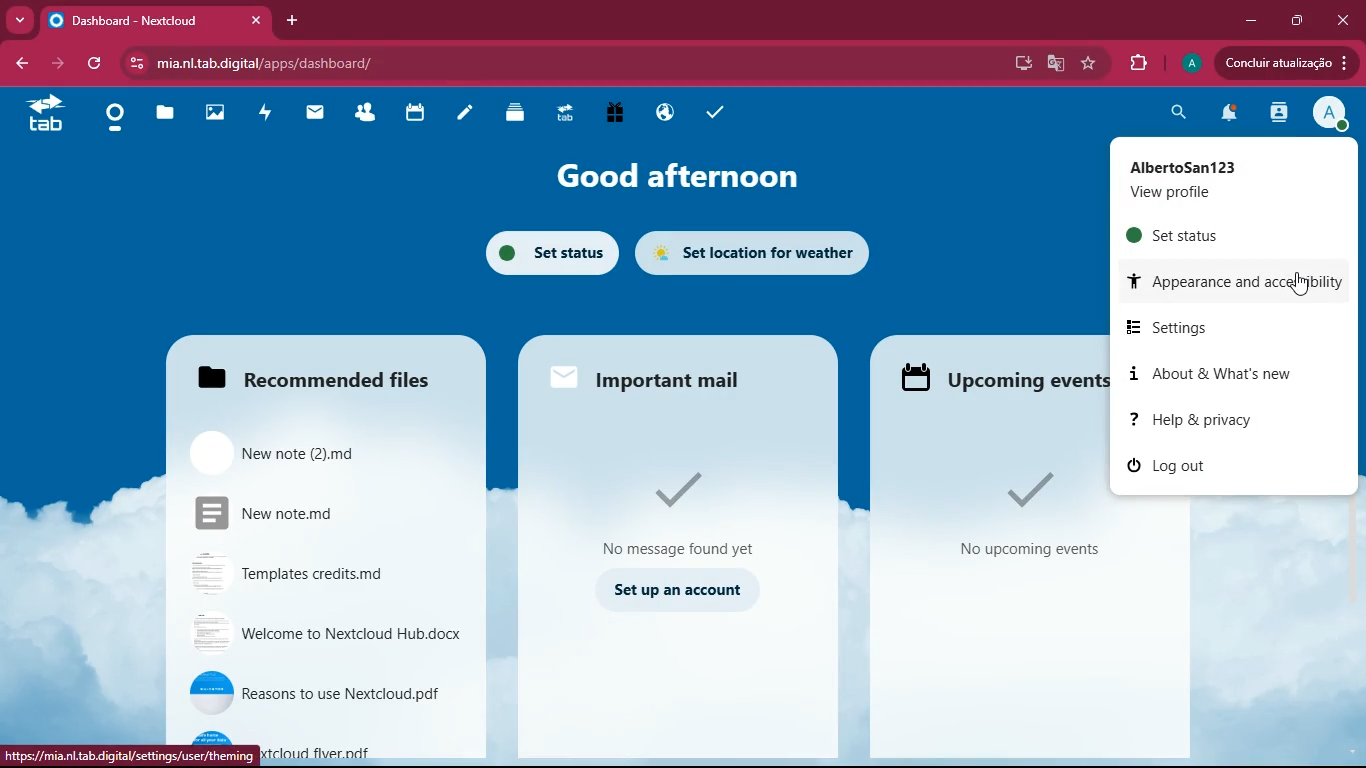  What do you see at coordinates (718, 114) in the screenshot?
I see `tasks` at bounding box center [718, 114].